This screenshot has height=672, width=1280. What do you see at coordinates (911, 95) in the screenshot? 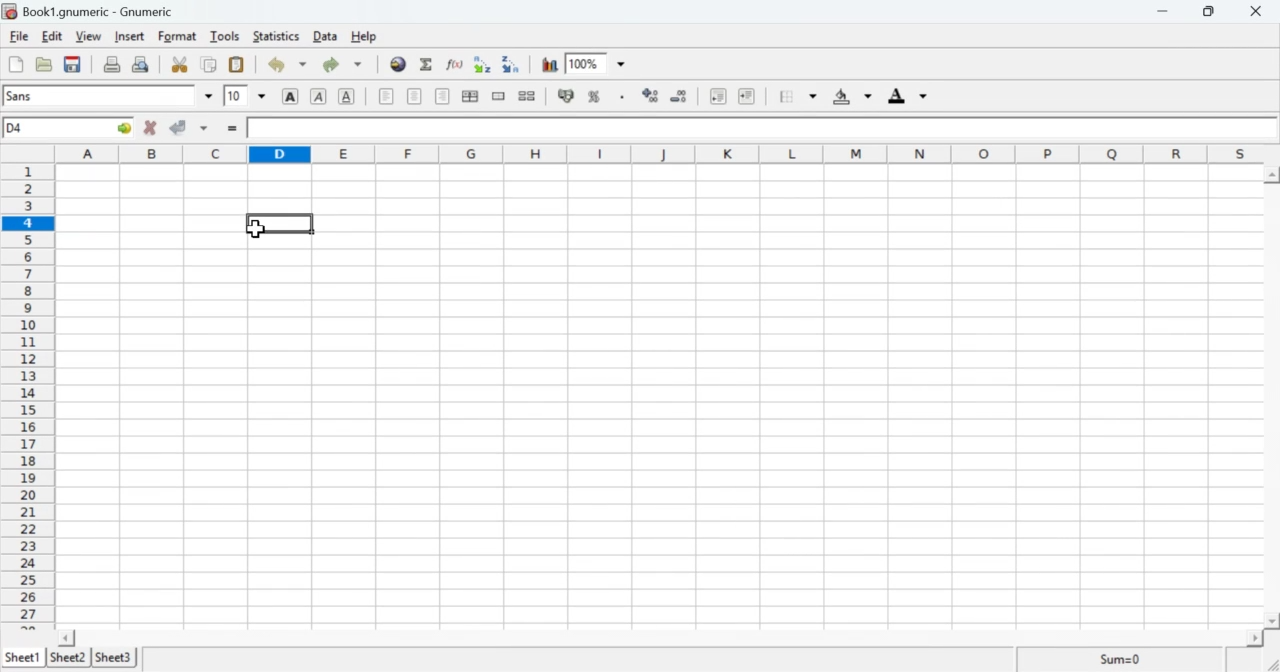
I see `Foreground` at bounding box center [911, 95].